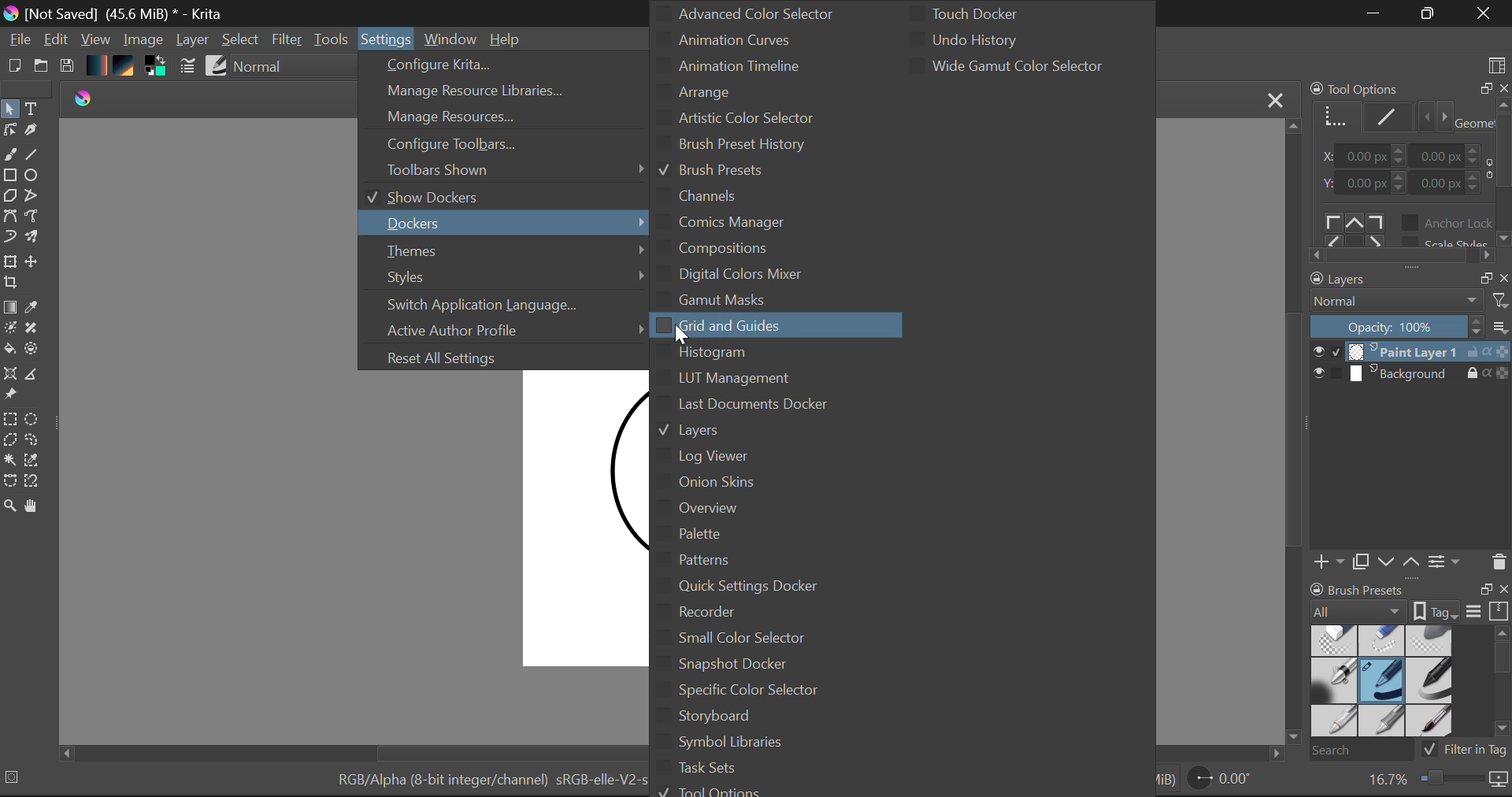 The image size is (1512, 797). Describe the element at coordinates (762, 720) in the screenshot. I see `Storyboard` at that location.